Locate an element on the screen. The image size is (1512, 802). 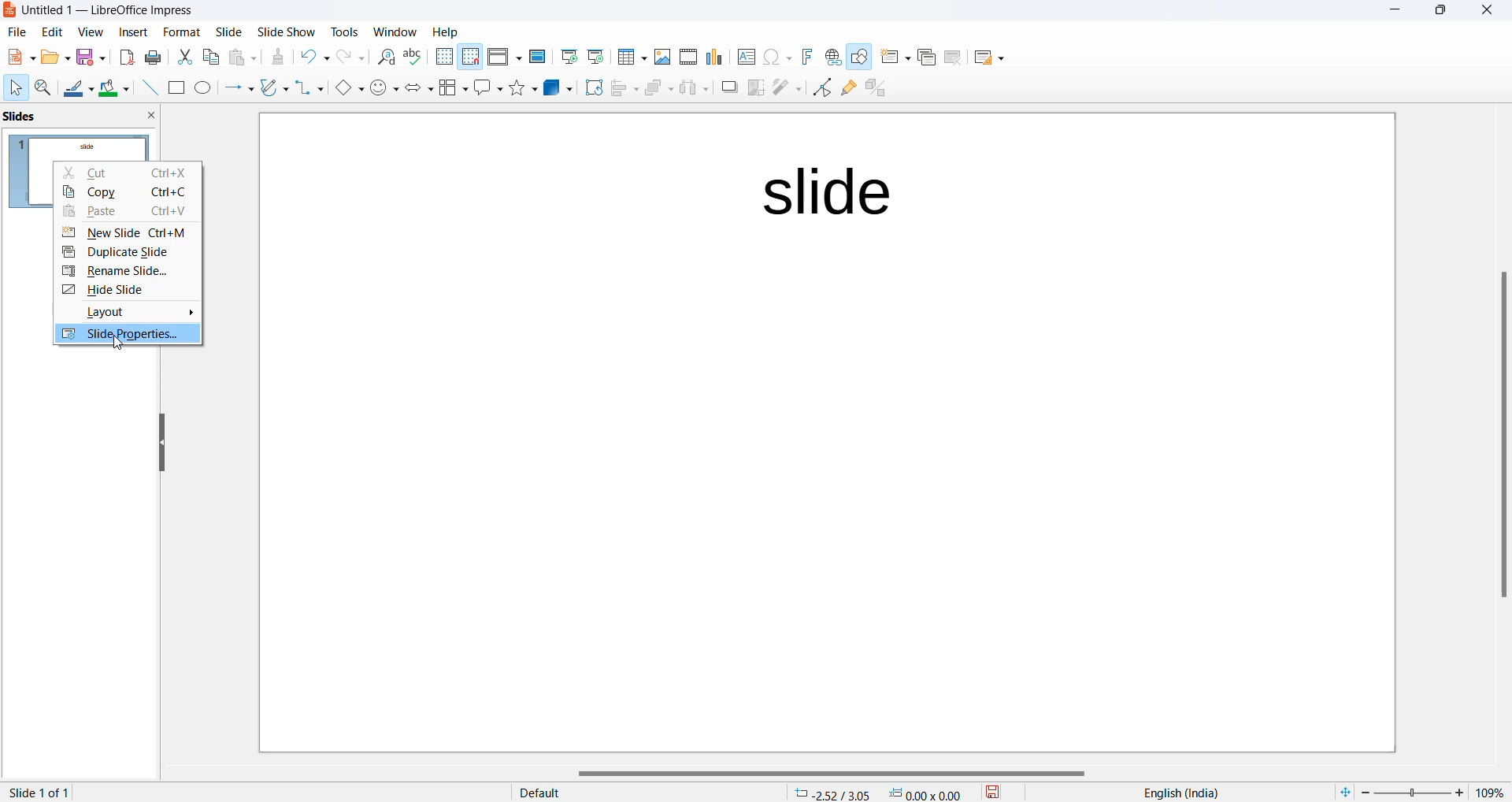
Help is located at coordinates (447, 32).